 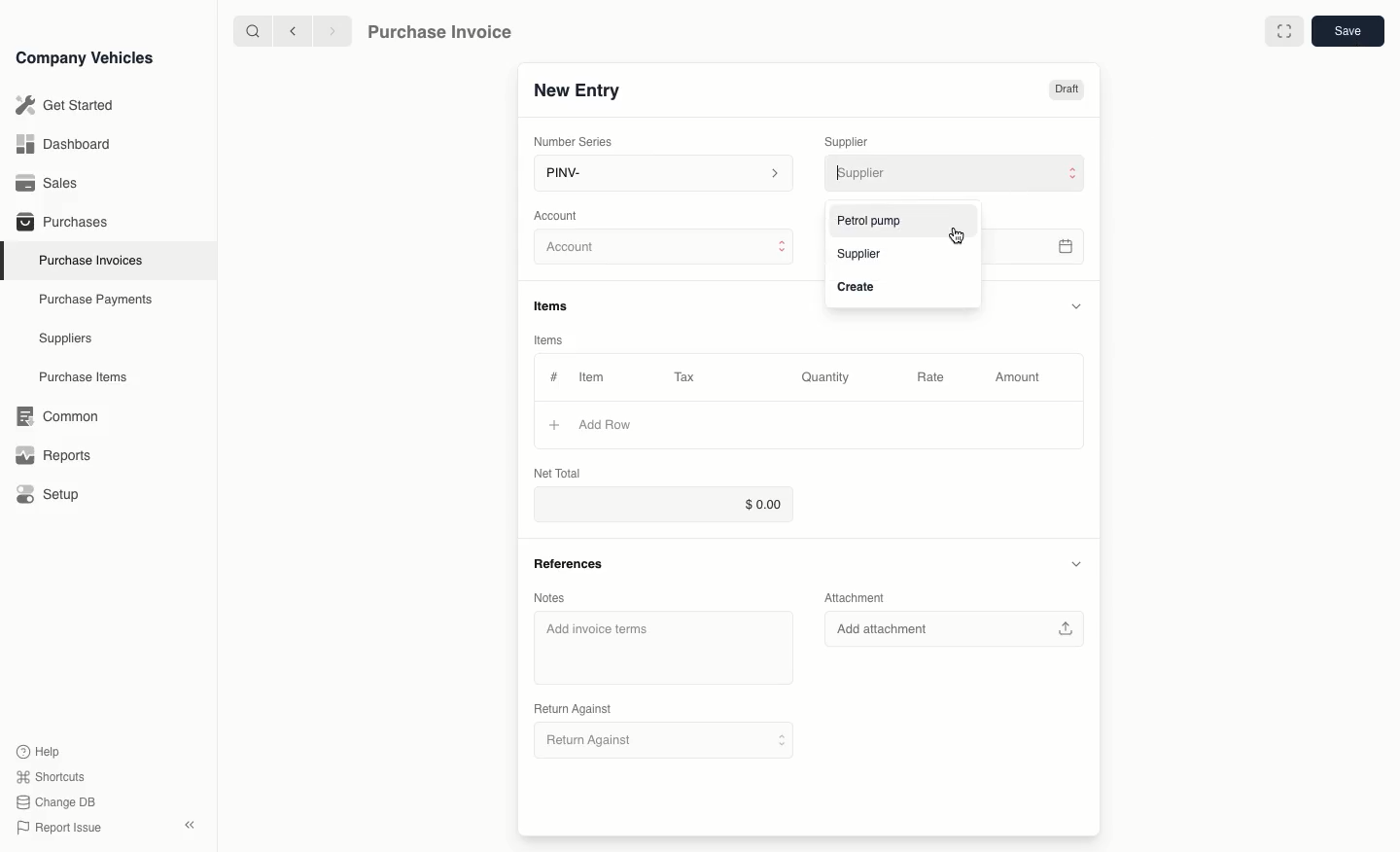 I want to click on Create, so click(x=896, y=291).